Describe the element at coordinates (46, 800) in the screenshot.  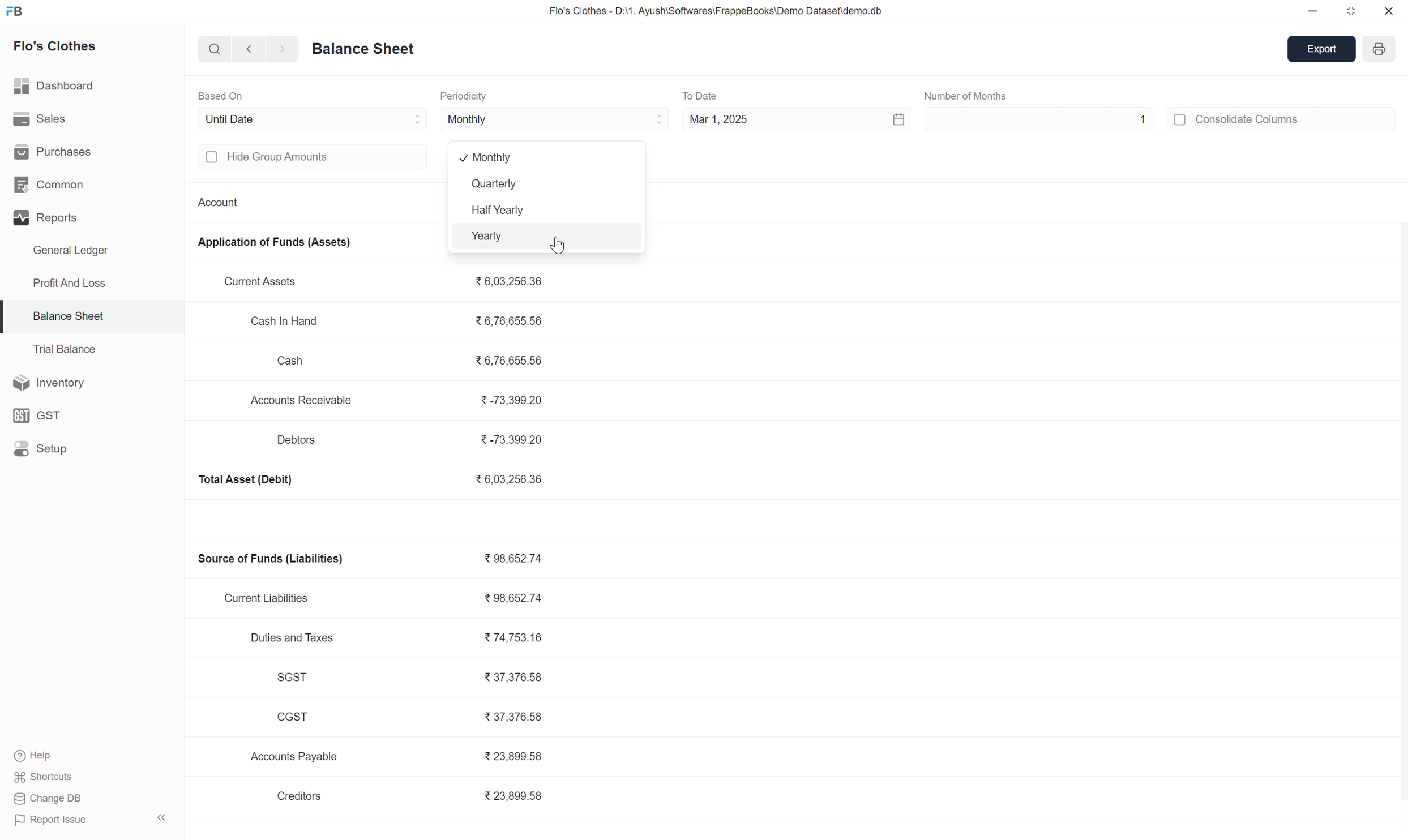
I see ` Change DB` at that location.